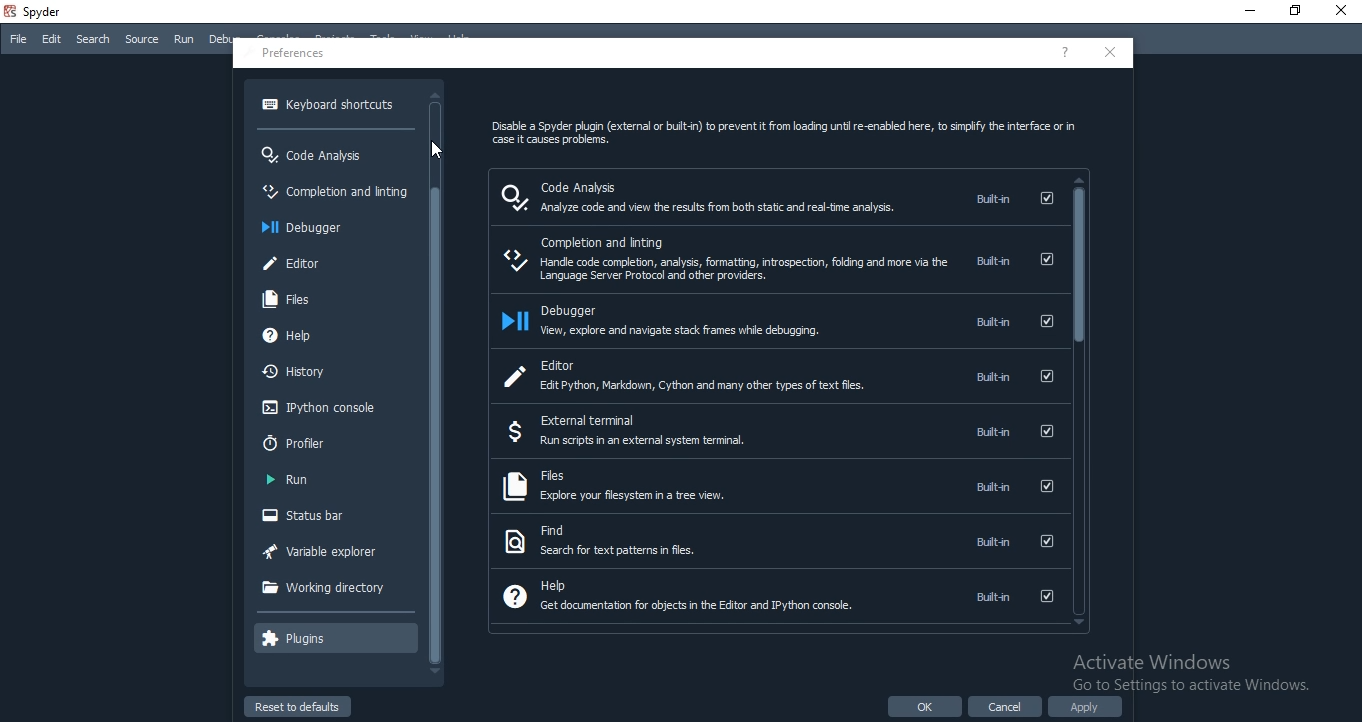 The image size is (1362, 722). Describe the element at coordinates (634, 240) in the screenshot. I see `Completion and linting` at that location.